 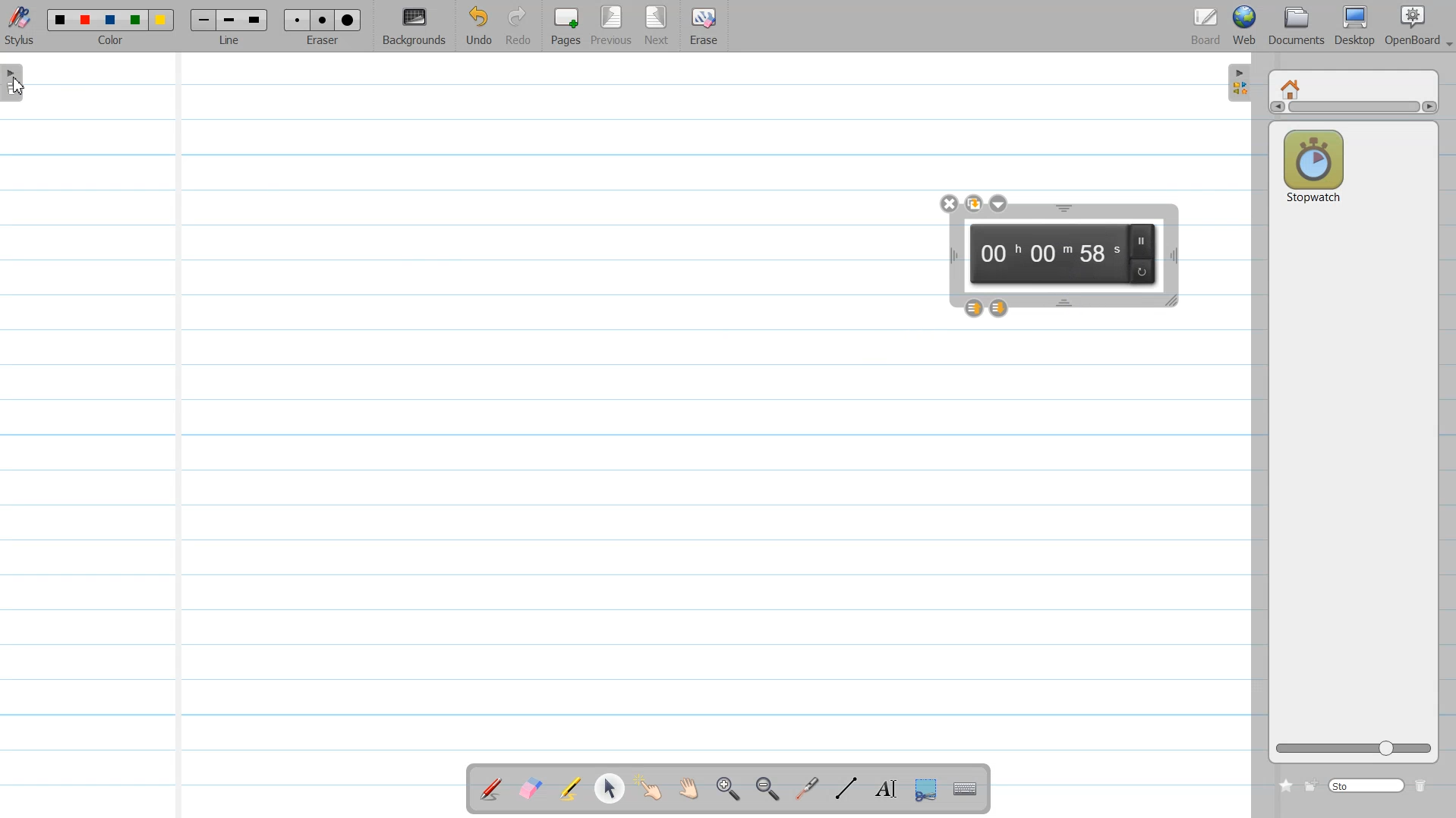 I want to click on Draw Line, so click(x=847, y=788).